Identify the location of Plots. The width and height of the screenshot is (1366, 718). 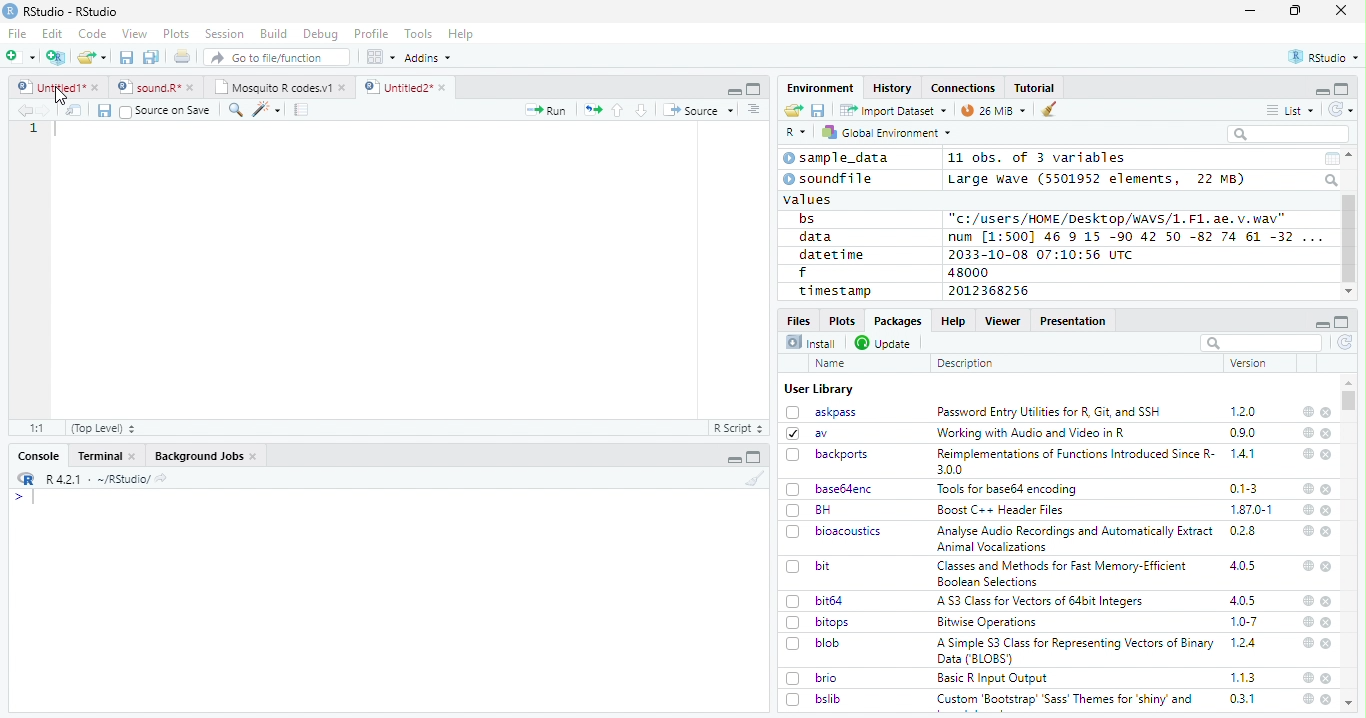
(176, 34).